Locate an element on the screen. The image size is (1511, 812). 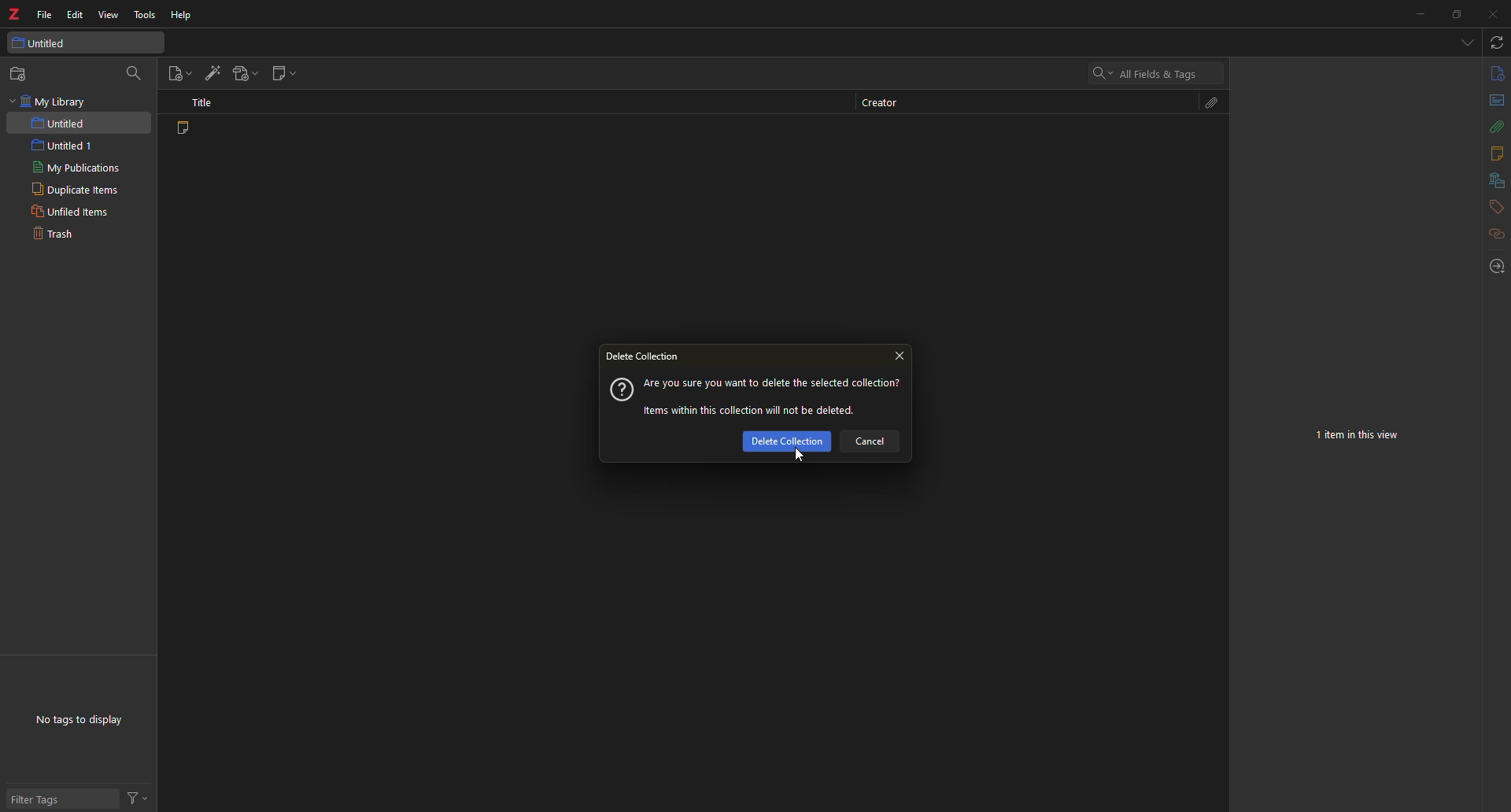
info is located at coordinates (1495, 74).